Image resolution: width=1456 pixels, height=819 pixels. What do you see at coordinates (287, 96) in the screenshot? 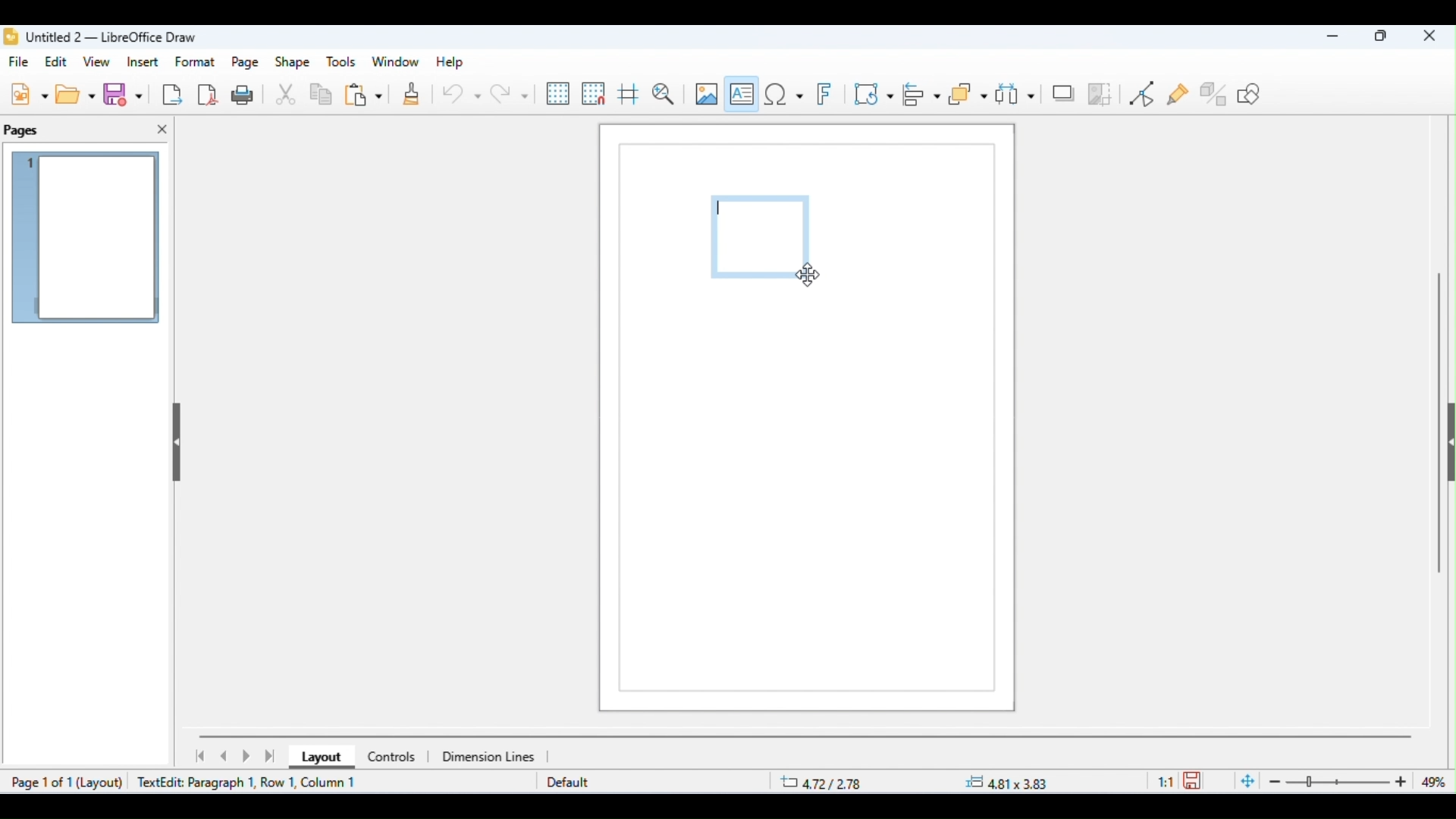
I see `cut` at bounding box center [287, 96].